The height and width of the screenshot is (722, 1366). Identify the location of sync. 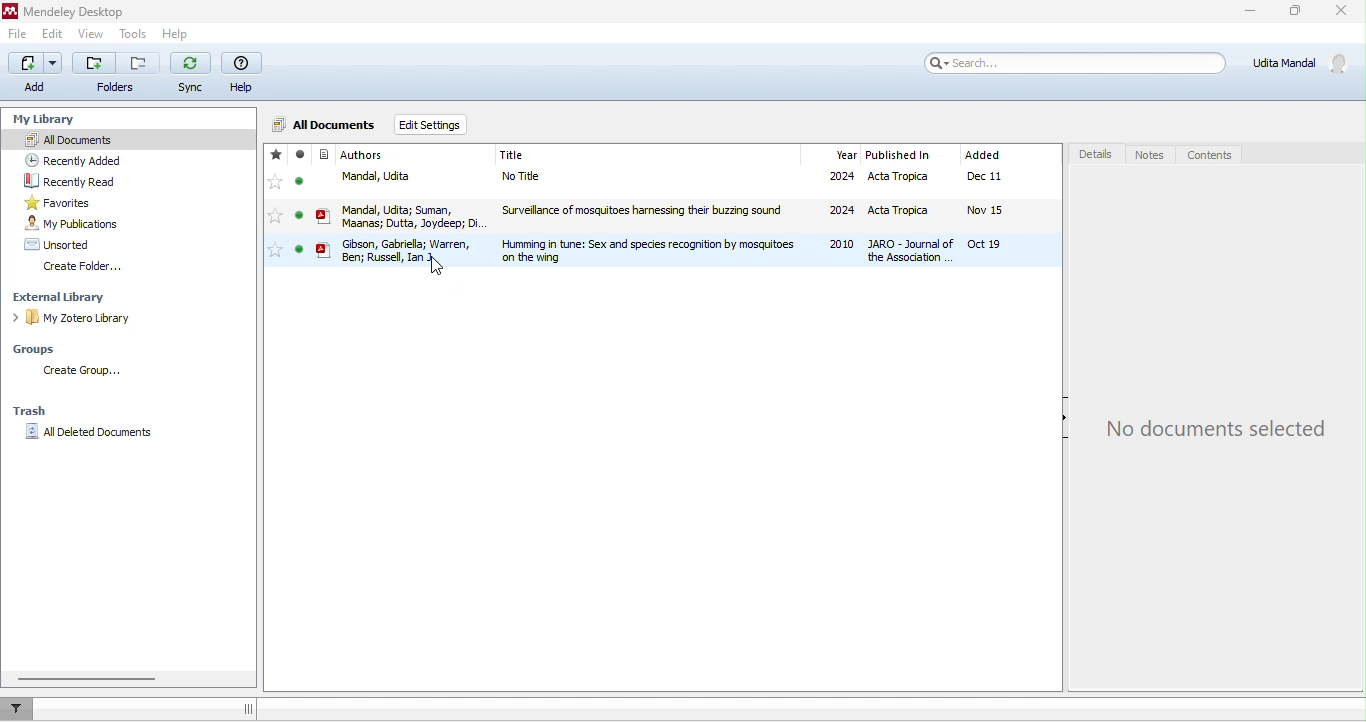
(188, 72).